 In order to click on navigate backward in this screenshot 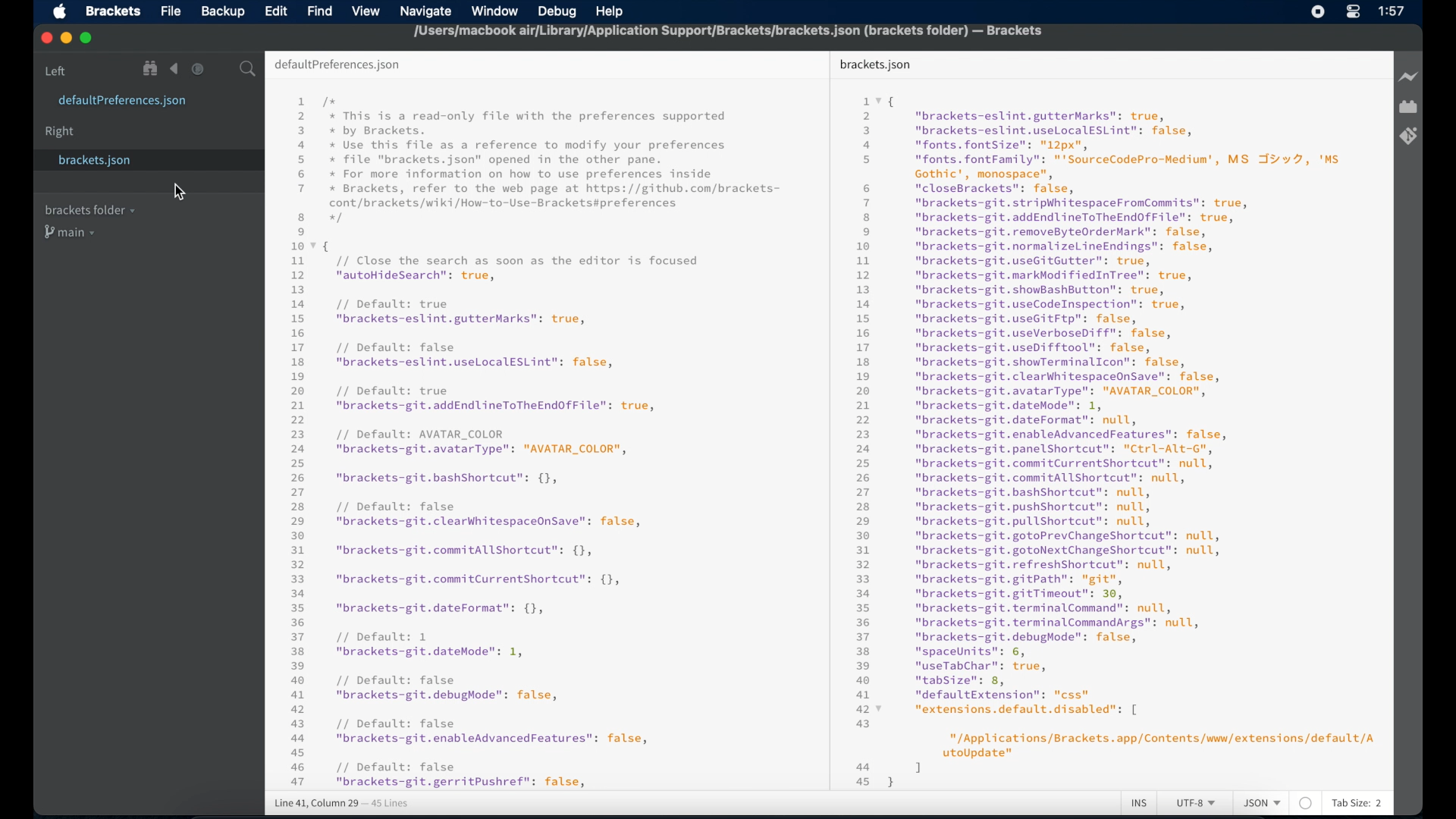, I will do `click(174, 69)`.